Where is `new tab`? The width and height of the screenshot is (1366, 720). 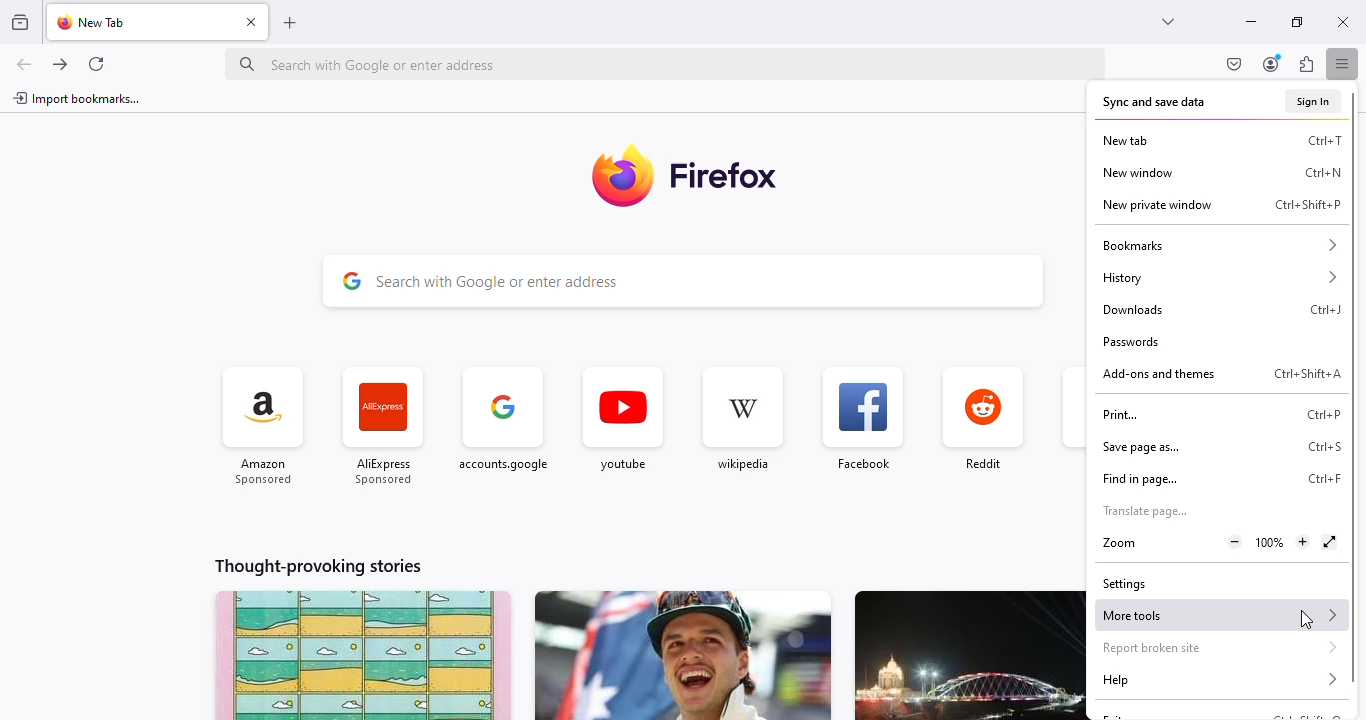
new tab is located at coordinates (96, 22).